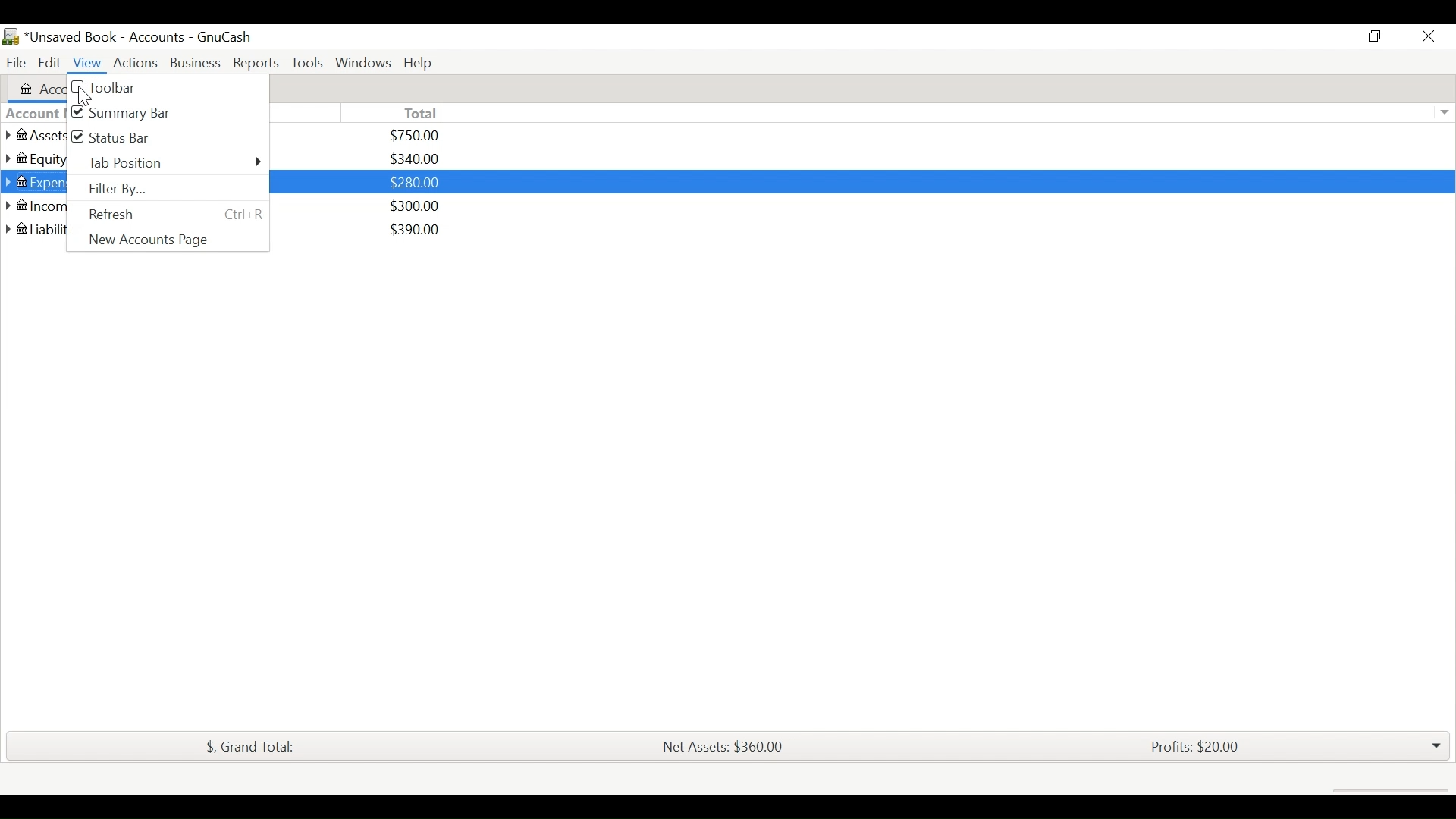  I want to click on Refresh, so click(169, 213).